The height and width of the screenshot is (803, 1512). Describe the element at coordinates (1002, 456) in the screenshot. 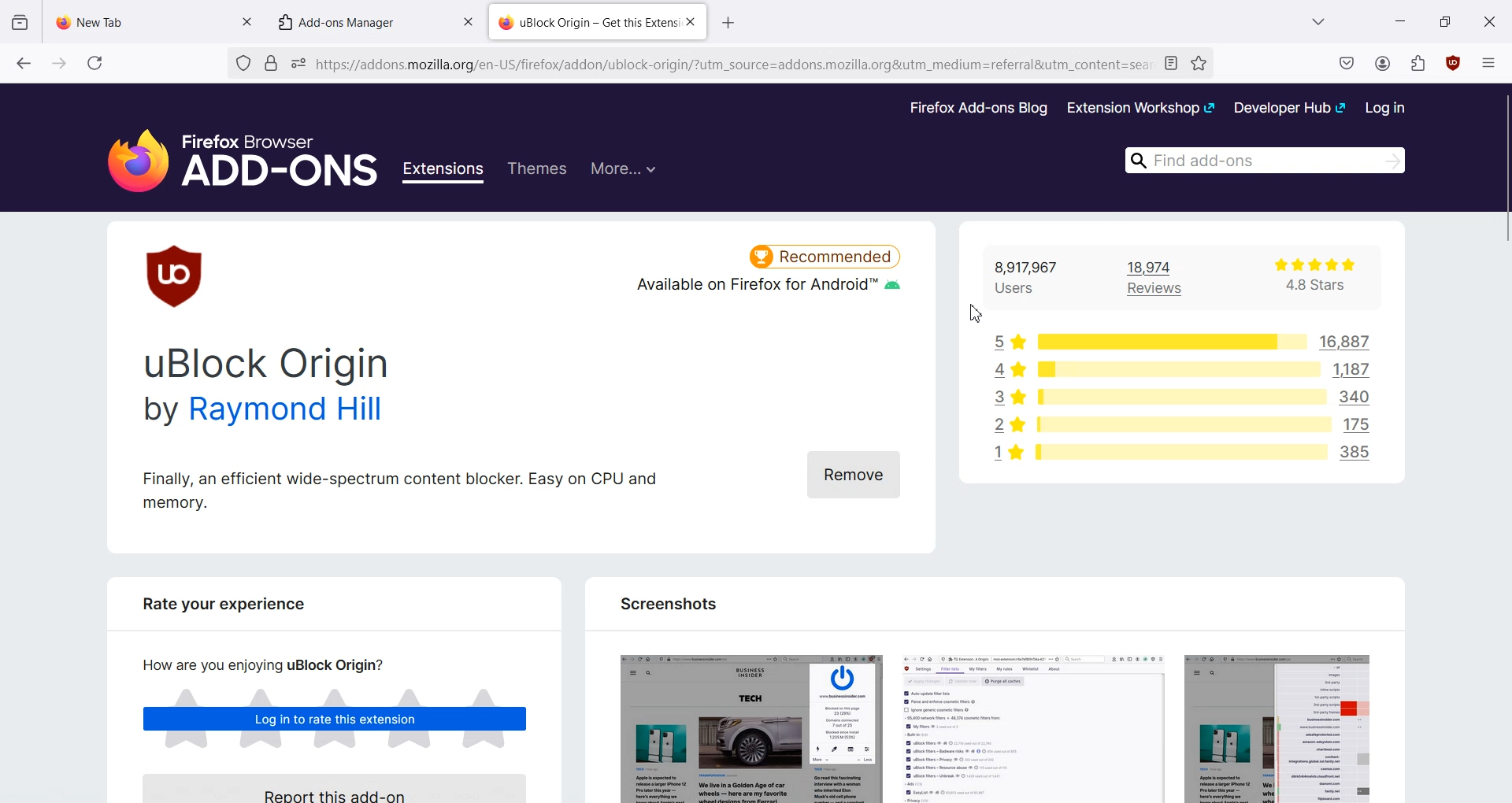

I see `1 star rating` at that location.